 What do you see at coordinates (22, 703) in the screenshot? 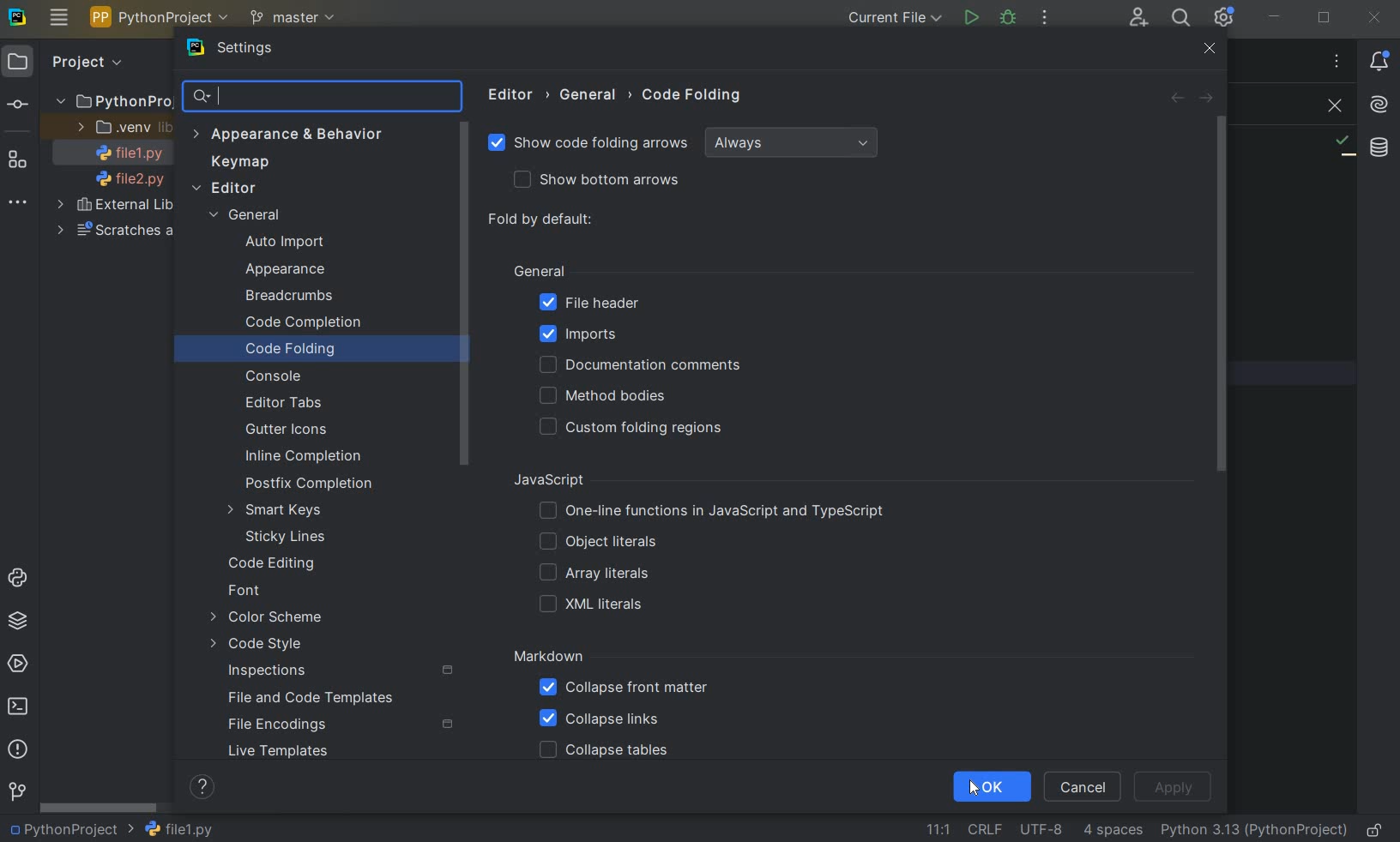
I see `TERMINAL` at bounding box center [22, 703].